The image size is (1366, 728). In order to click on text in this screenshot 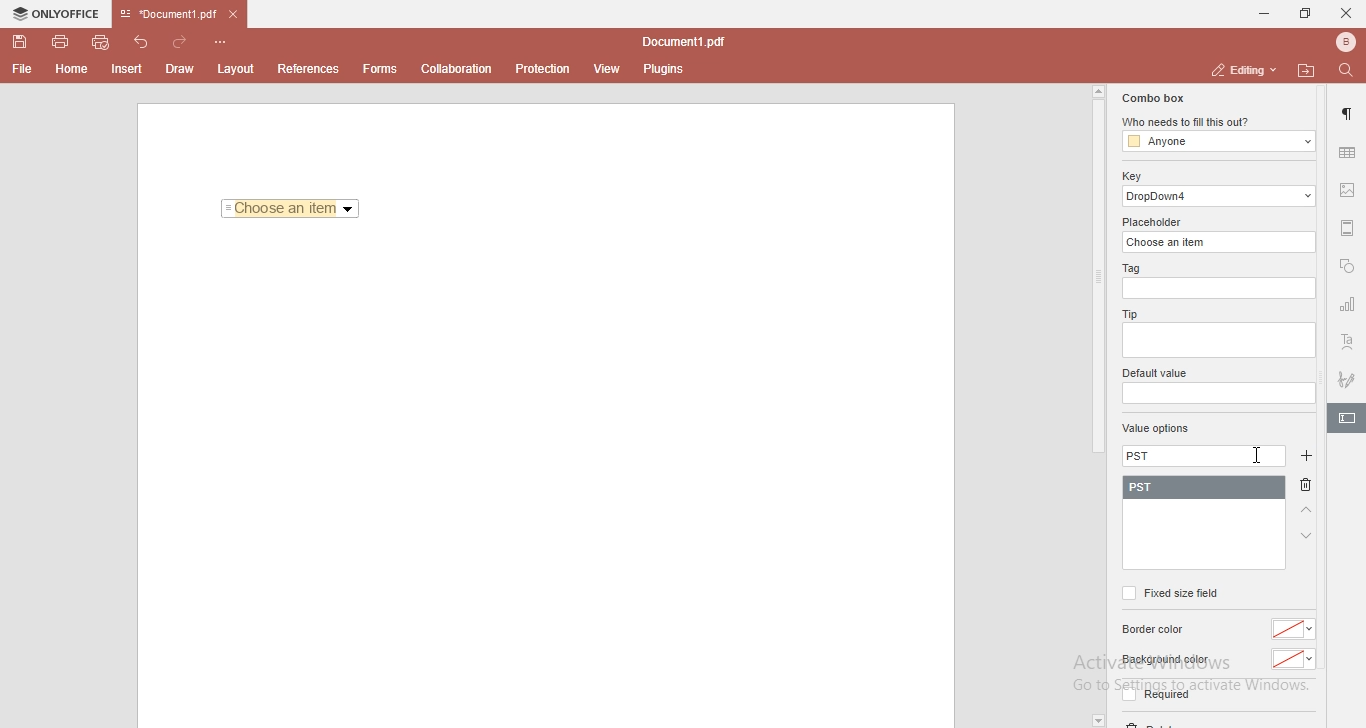, I will do `click(1348, 343)`.